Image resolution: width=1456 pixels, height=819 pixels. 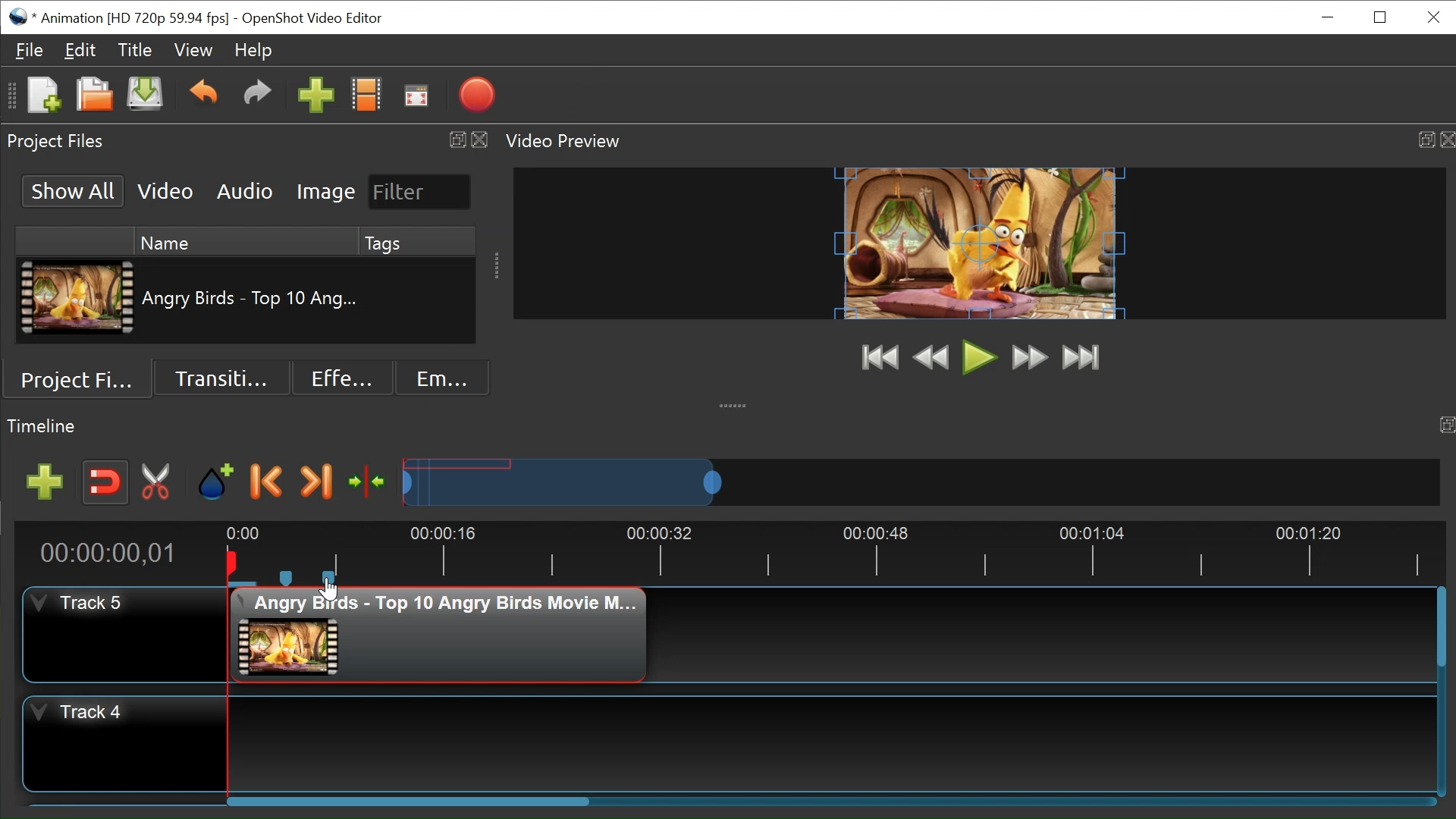 What do you see at coordinates (1029, 357) in the screenshot?
I see `Fast Forward` at bounding box center [1029, 357].